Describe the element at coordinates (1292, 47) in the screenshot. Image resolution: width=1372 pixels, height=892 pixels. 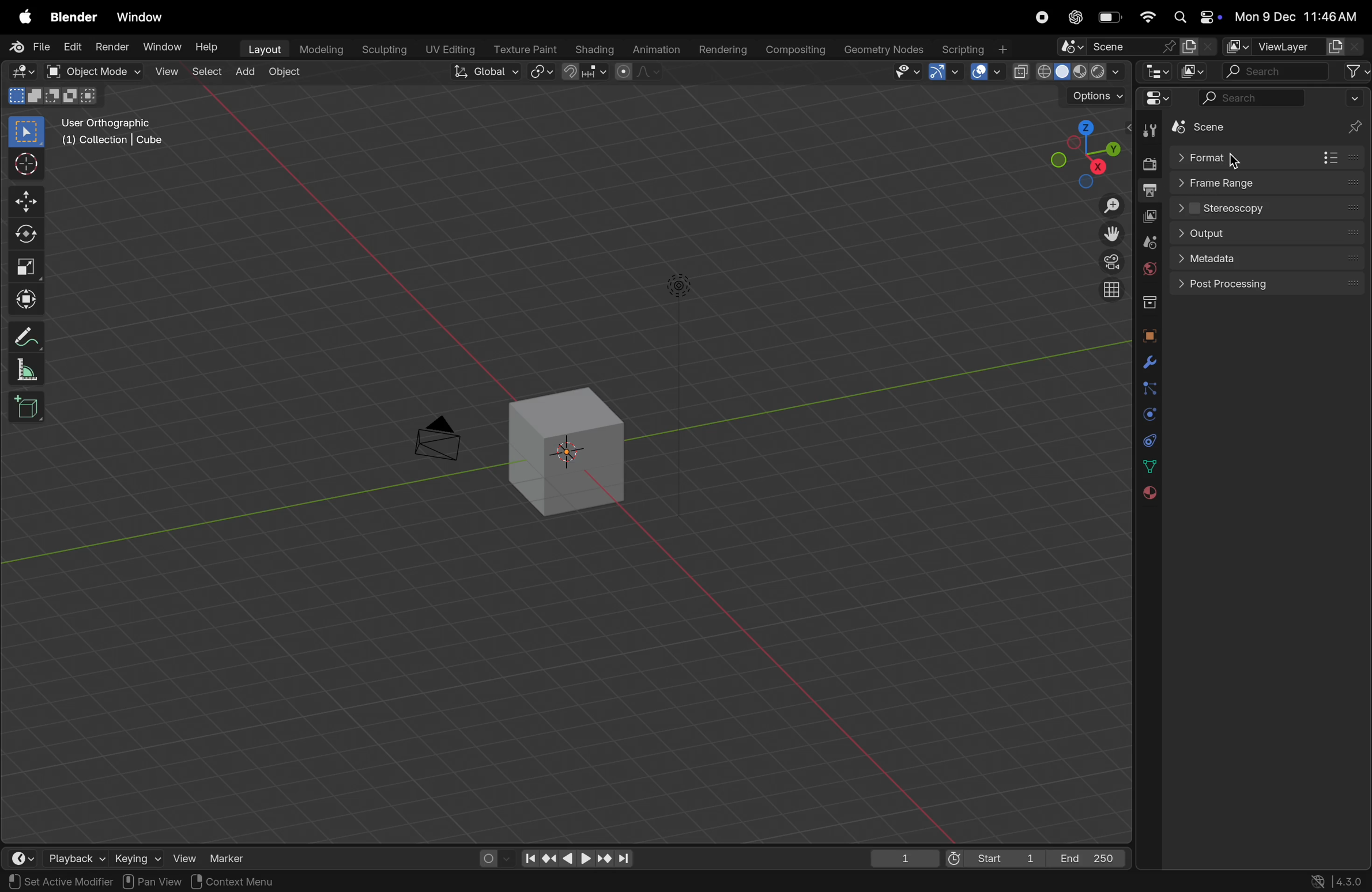
I see `view layer` at that location.